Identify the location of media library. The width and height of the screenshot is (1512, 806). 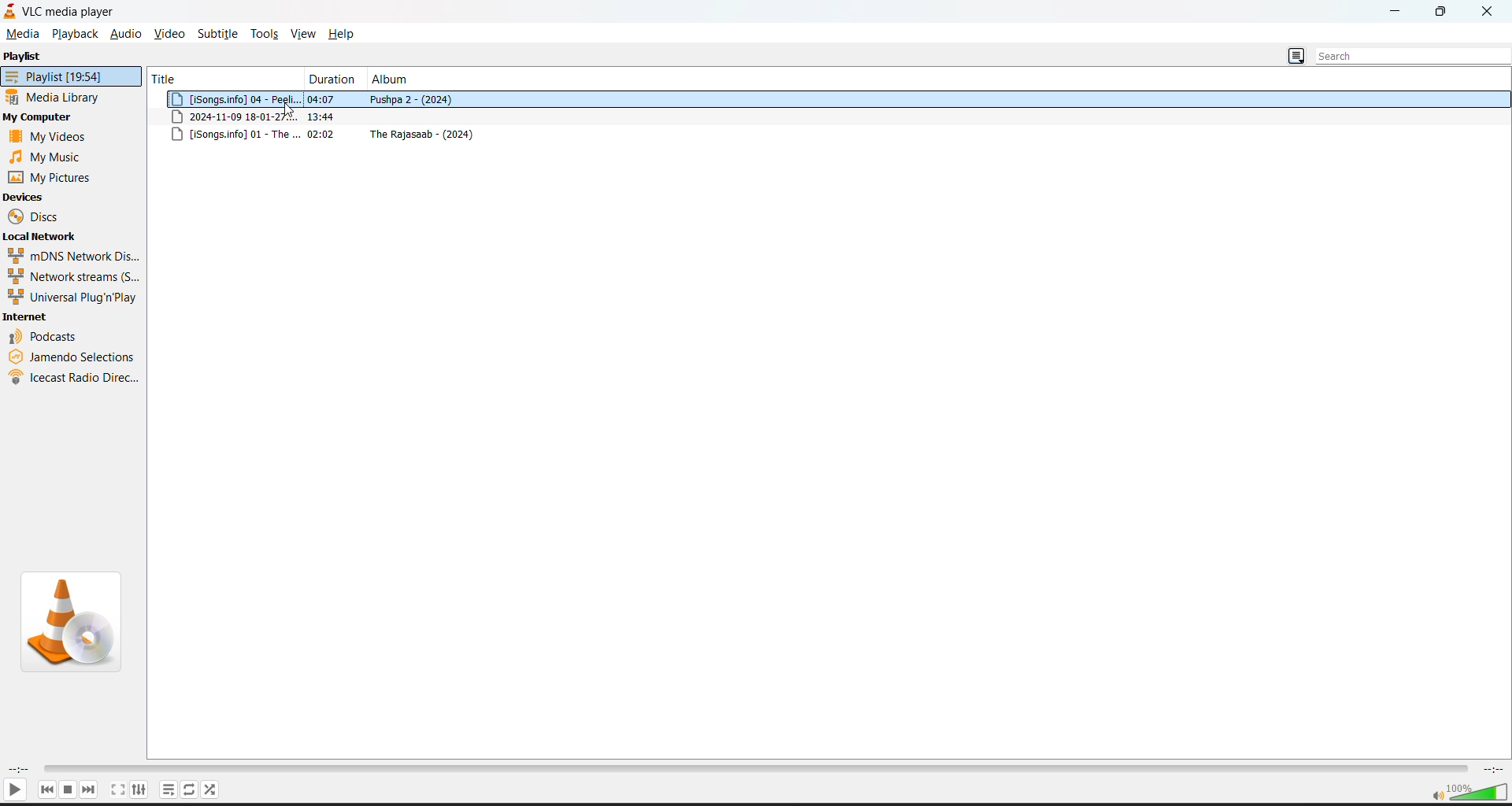
(58, 98).